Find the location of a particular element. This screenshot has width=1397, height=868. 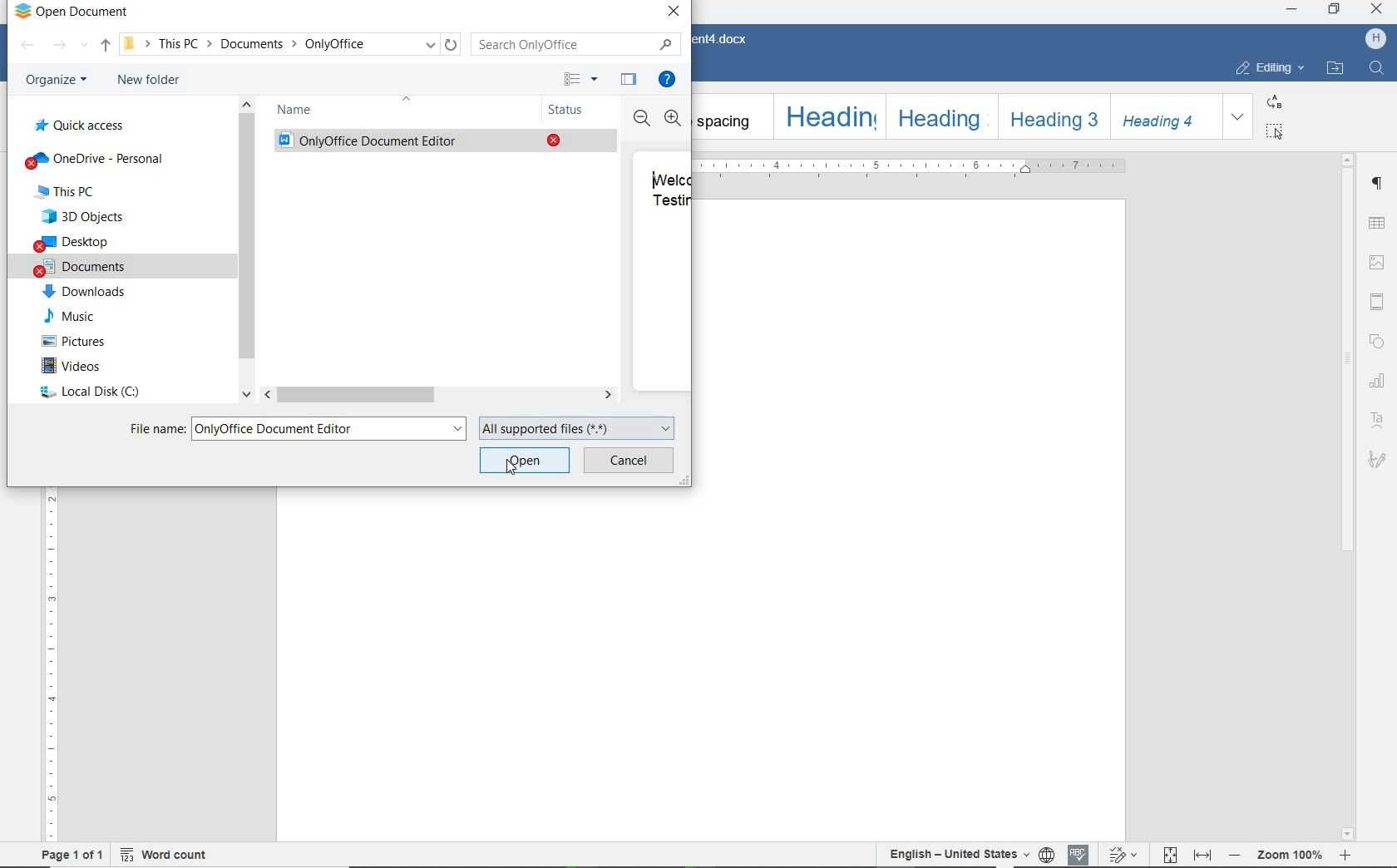

backward is located at coordinates (25, 45).